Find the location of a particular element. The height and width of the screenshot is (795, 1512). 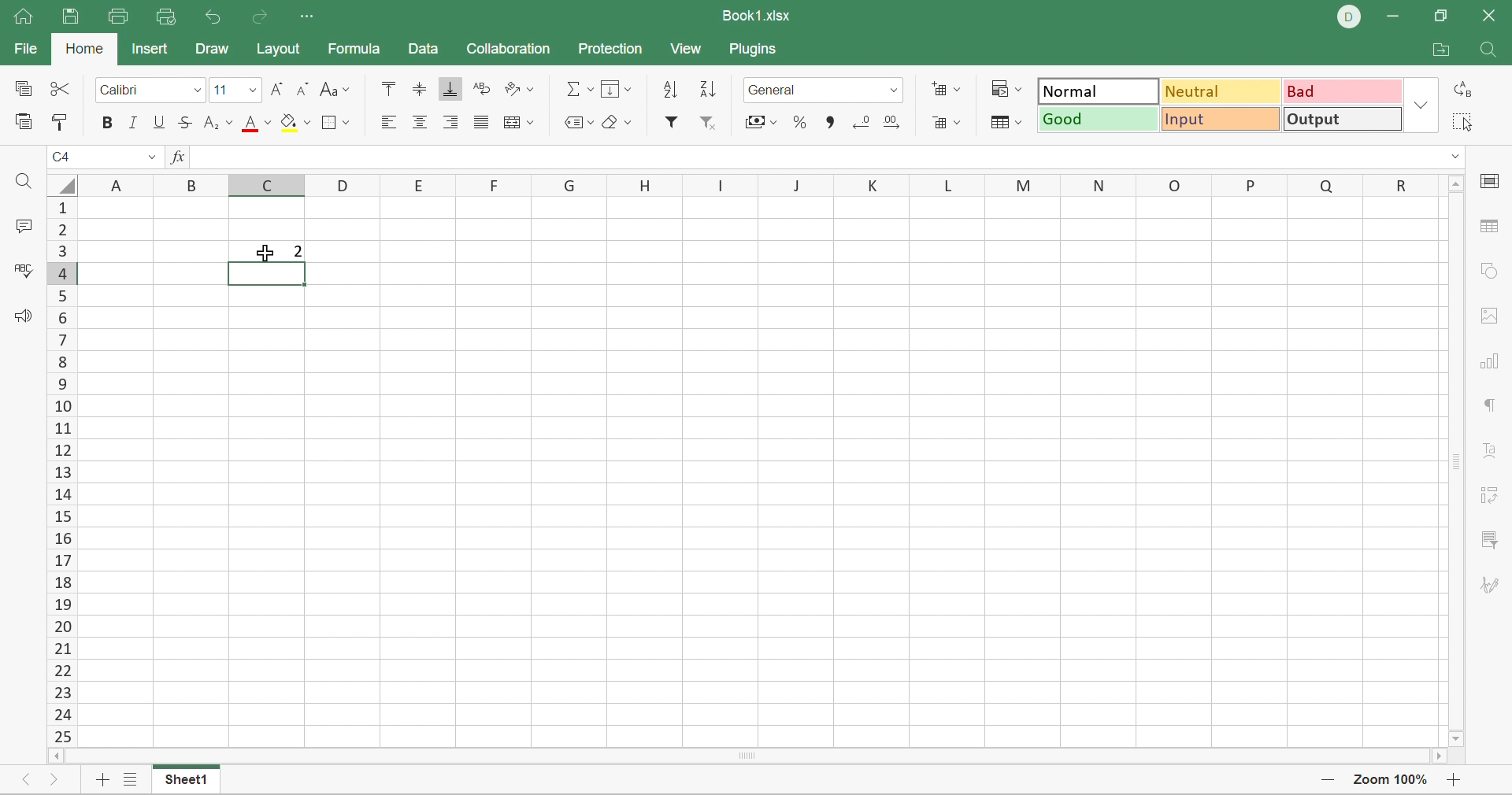

FX is located at coordinates (181, 158).